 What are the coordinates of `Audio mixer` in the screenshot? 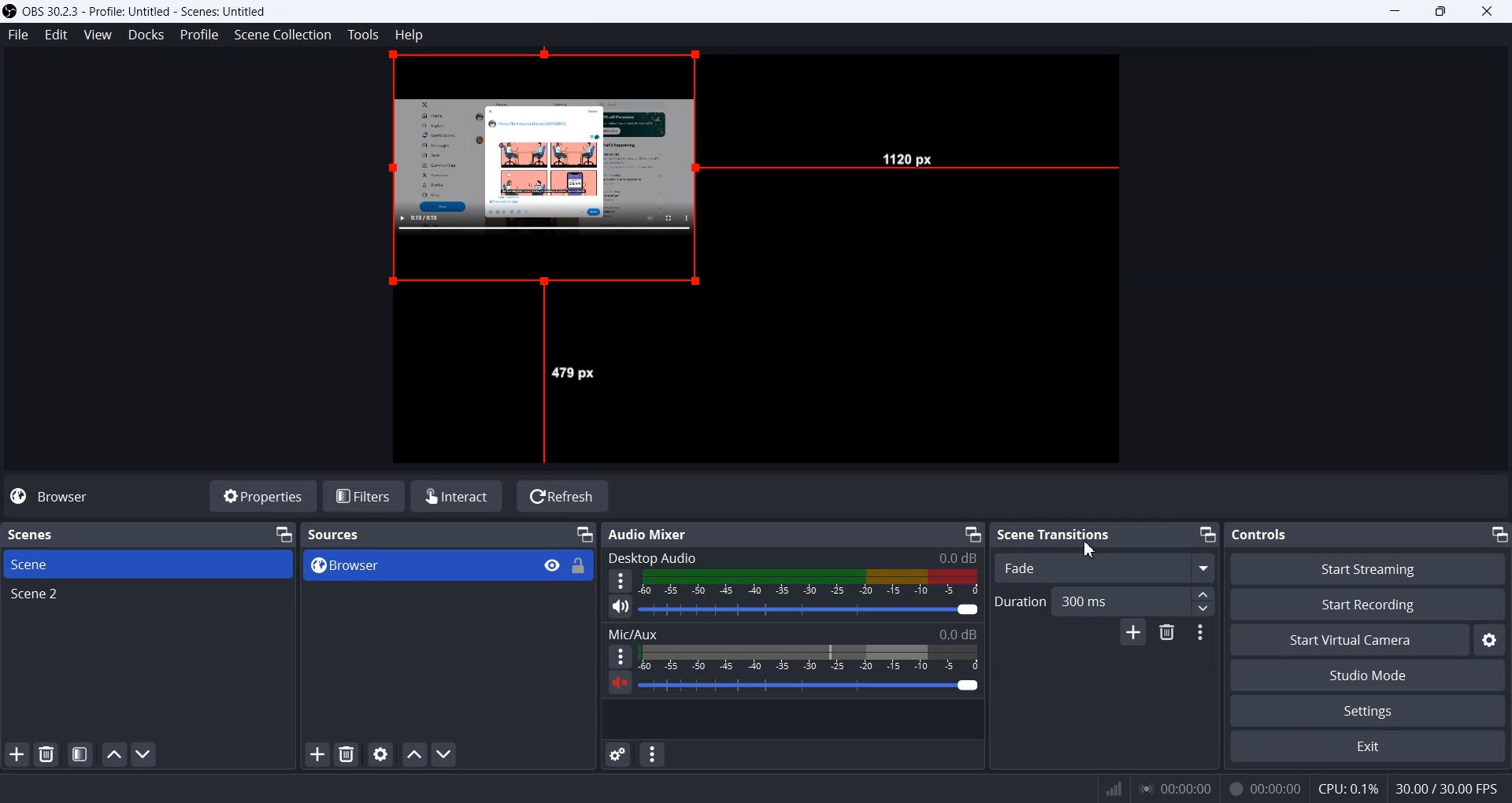 It's located at (687, 532).